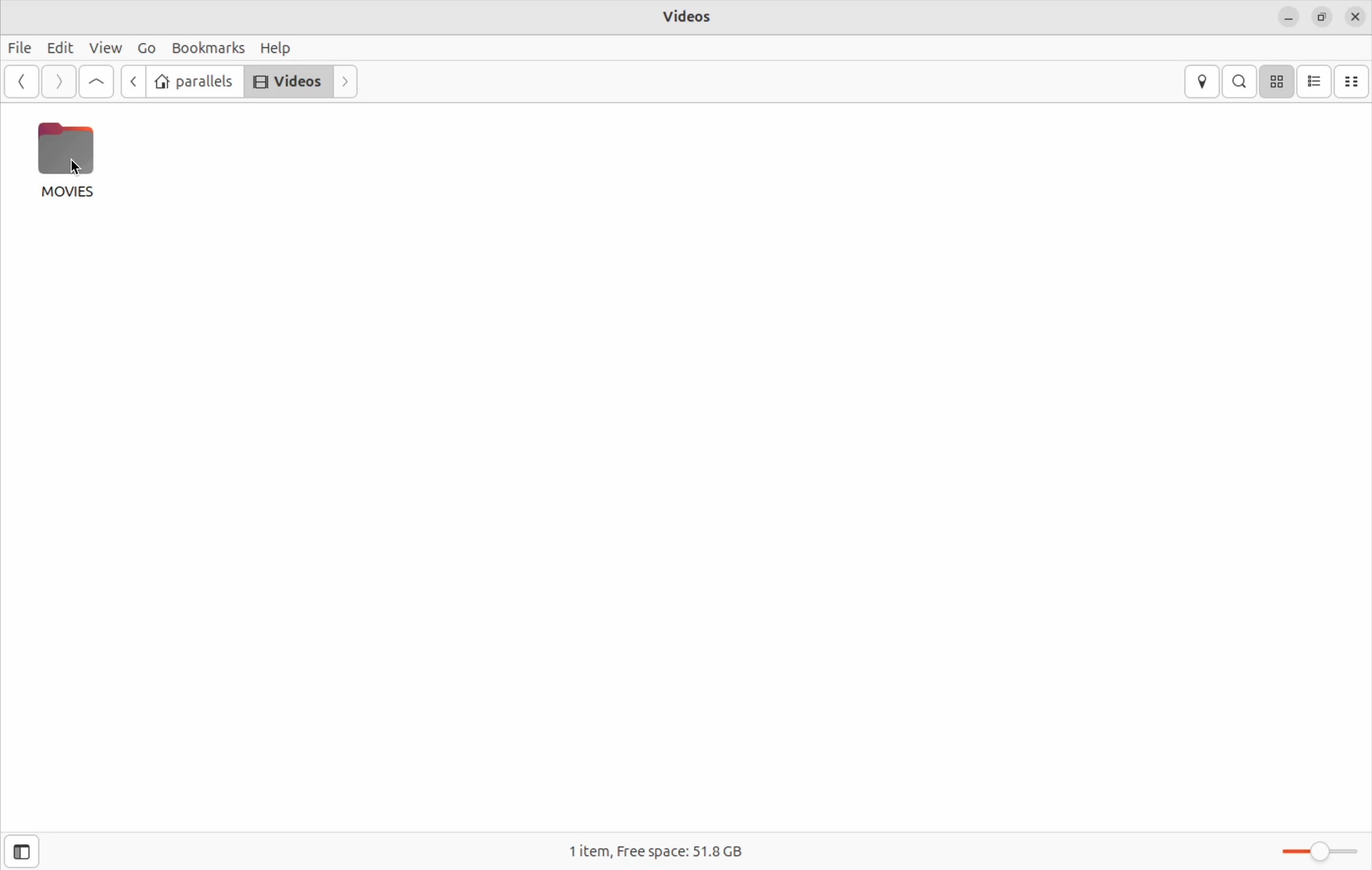 This screenshot has height=870, width=1372. I want to click on Files, so click(20, 50).